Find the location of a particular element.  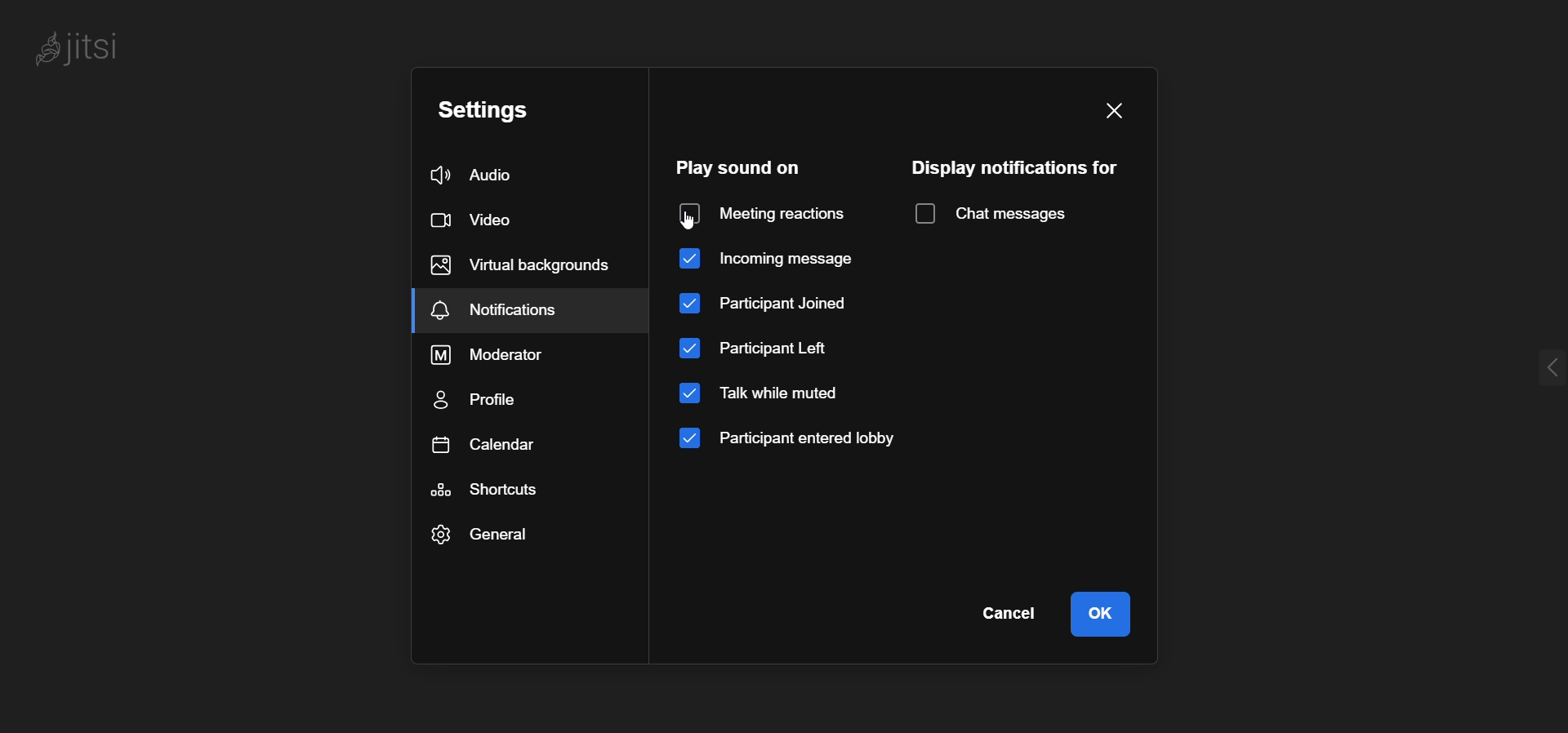

participant left is located at coordinates (756, 351).